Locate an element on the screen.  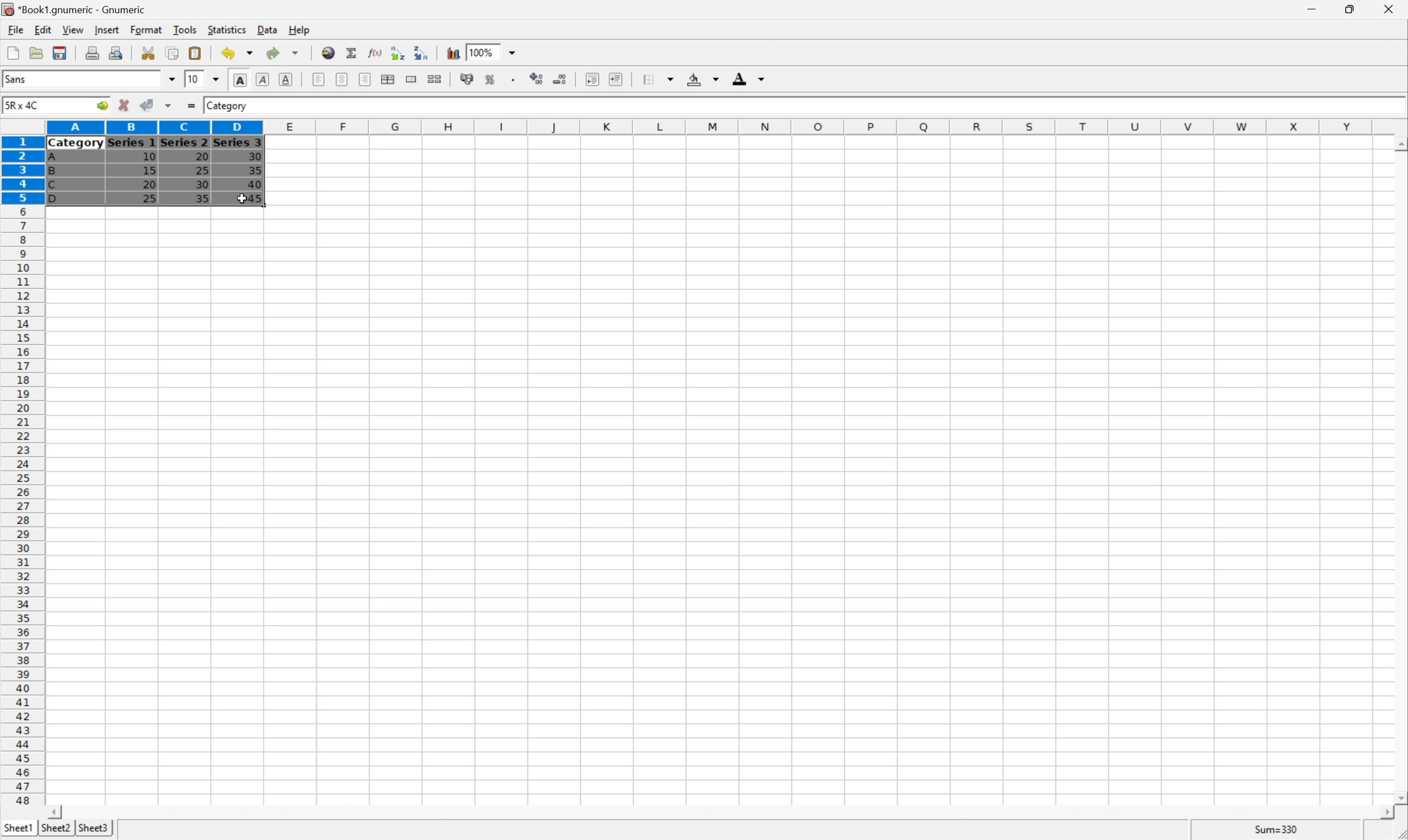
Accept changes in multiple cells is located at coordinates (168, 105).